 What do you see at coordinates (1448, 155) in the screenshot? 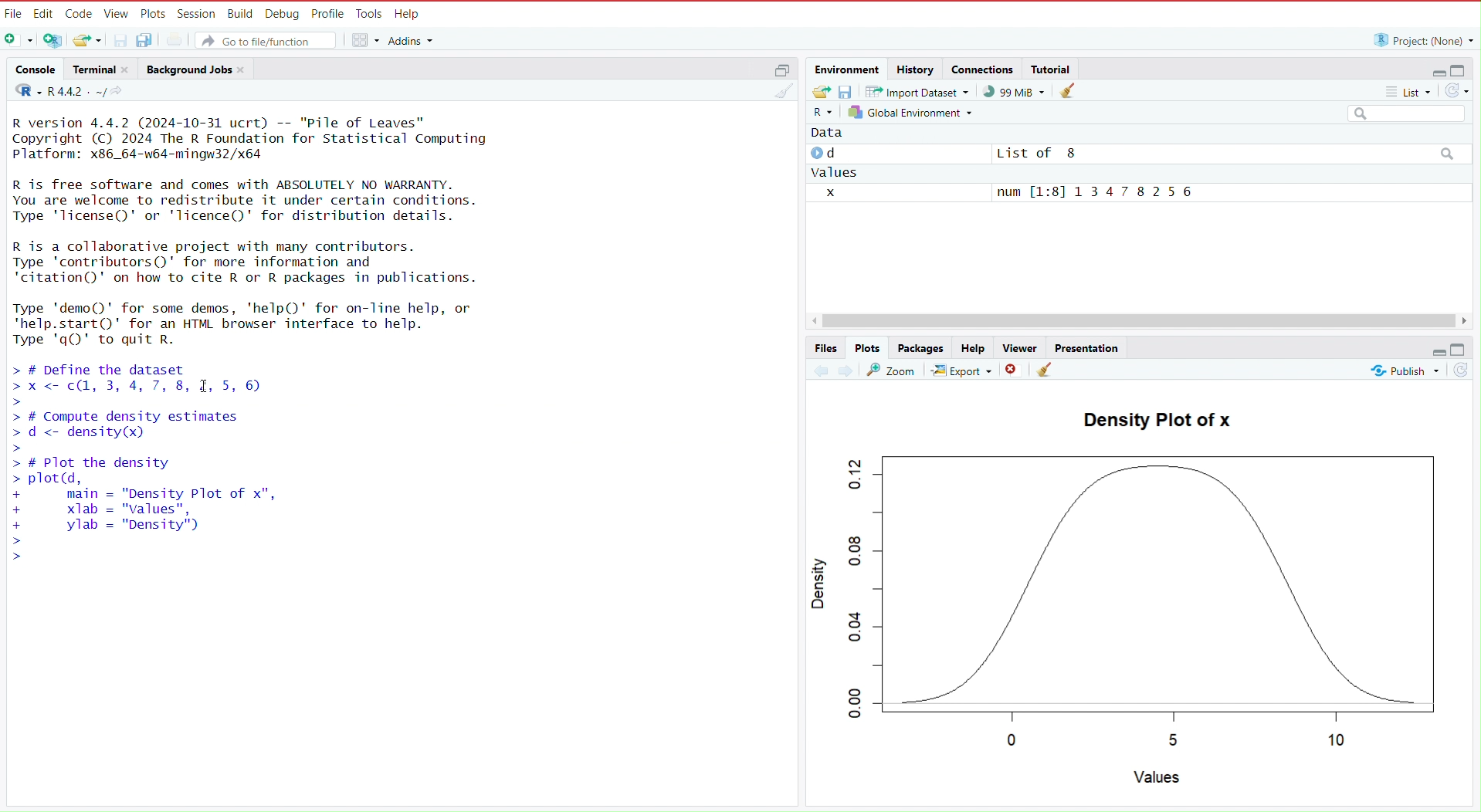
I see `search icon` at bounding box center [1448, 155].